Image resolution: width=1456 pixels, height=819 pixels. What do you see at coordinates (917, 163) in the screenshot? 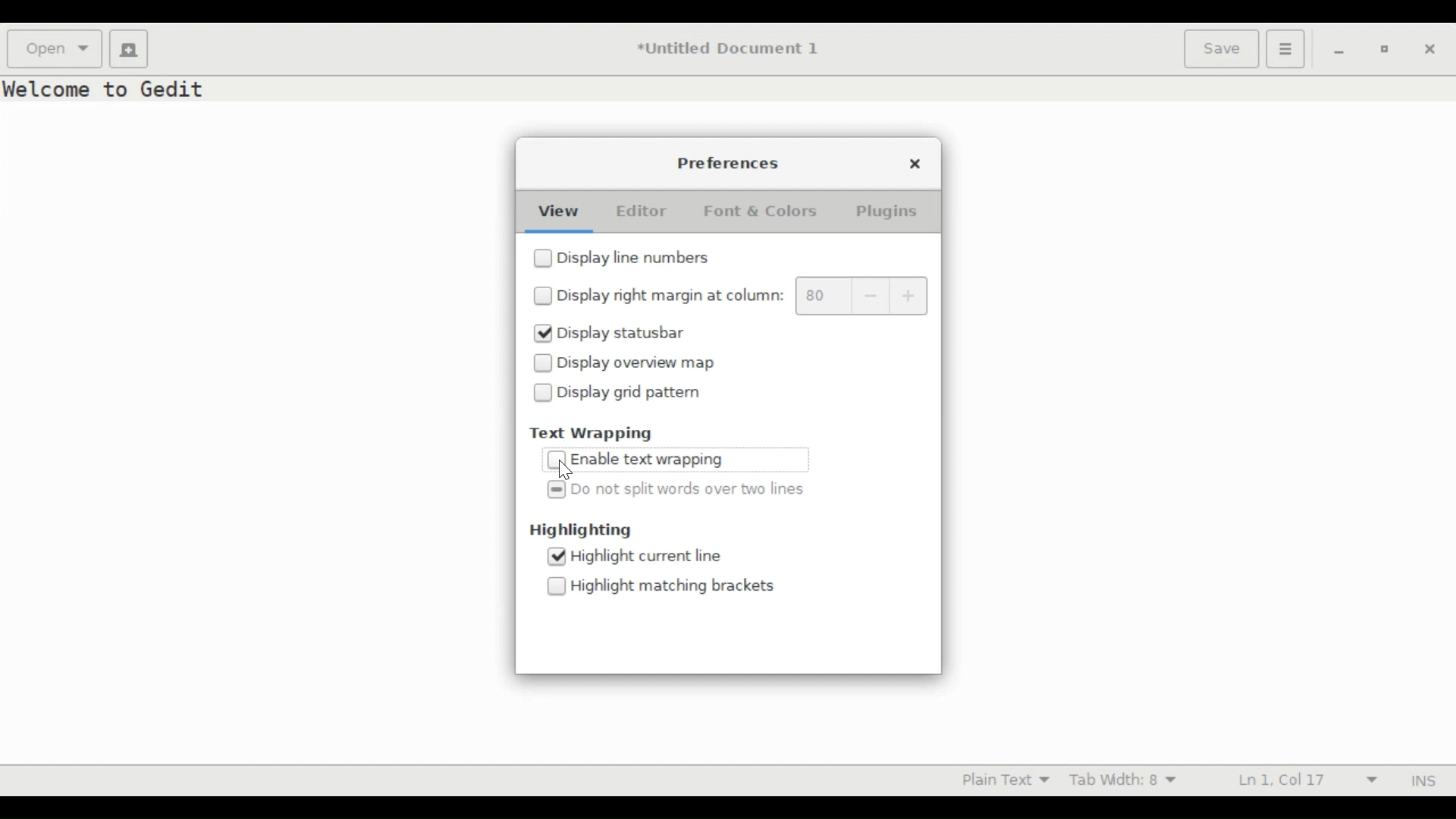
I see `close` at bounding box center [917, 163].